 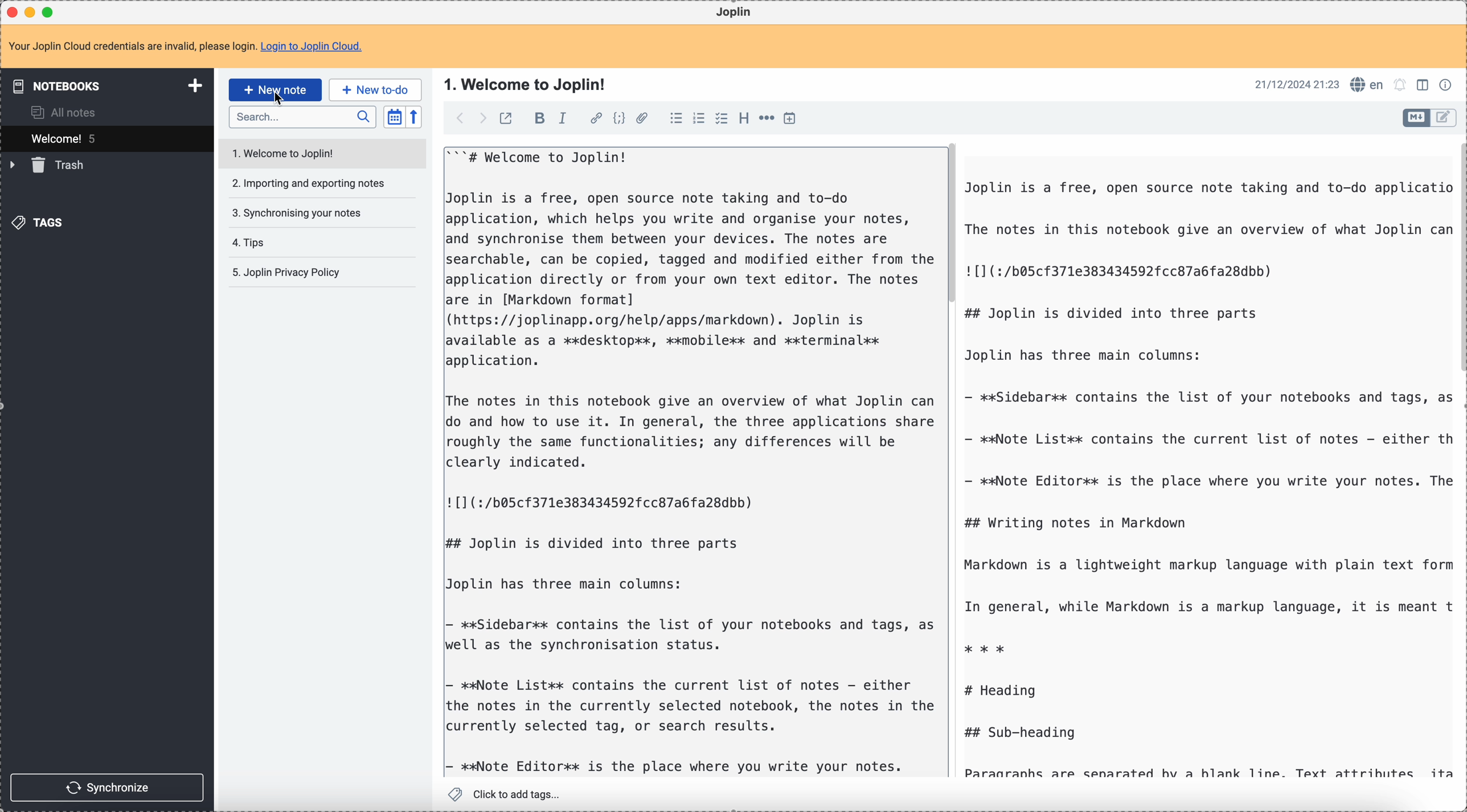 What do you see at coordinates (621, 119) in the screenshot?
I see `code` at bounding box center [621, 119].